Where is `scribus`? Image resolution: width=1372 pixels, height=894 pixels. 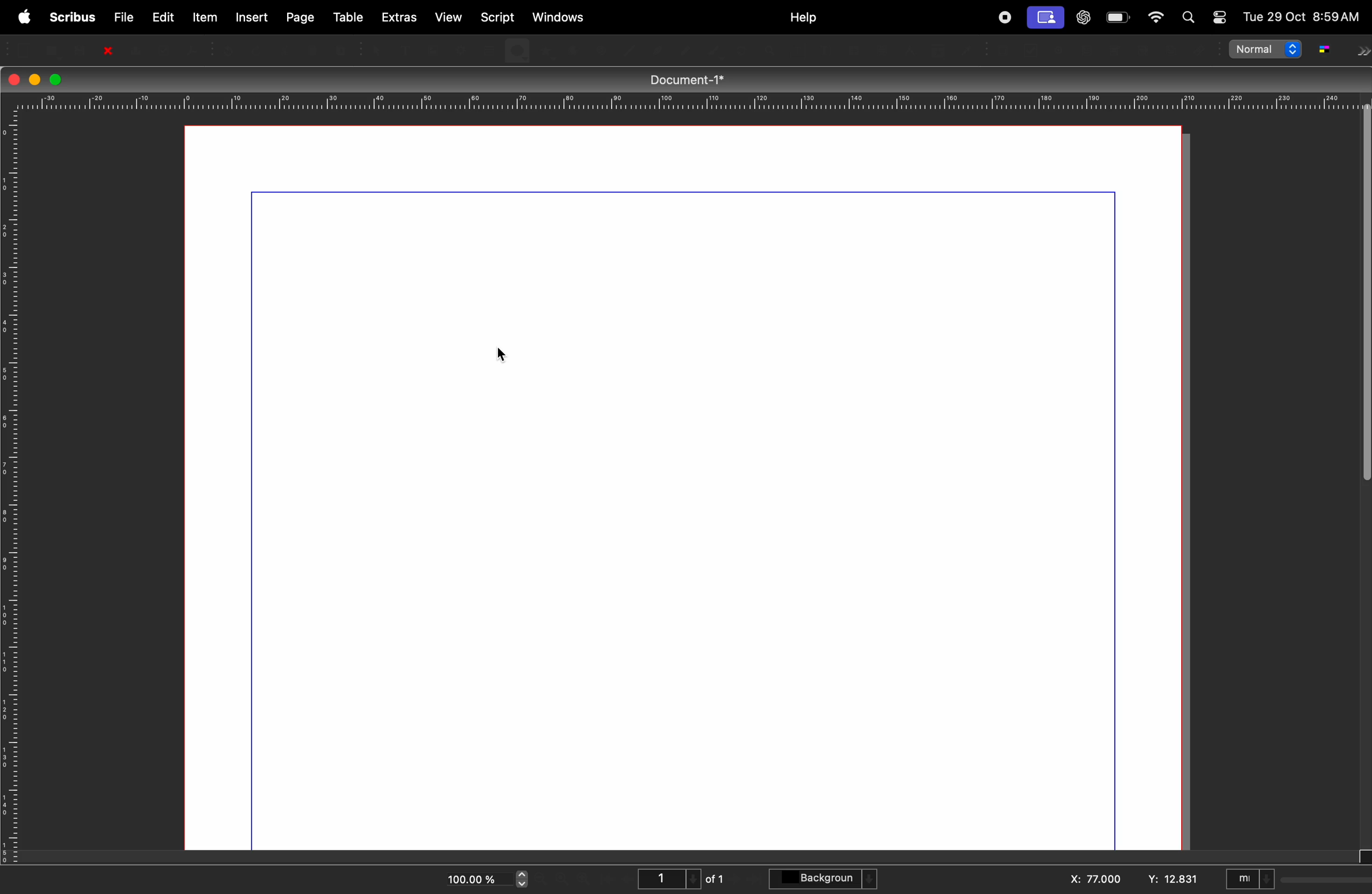
scribus is located at coordinates (70, 17).